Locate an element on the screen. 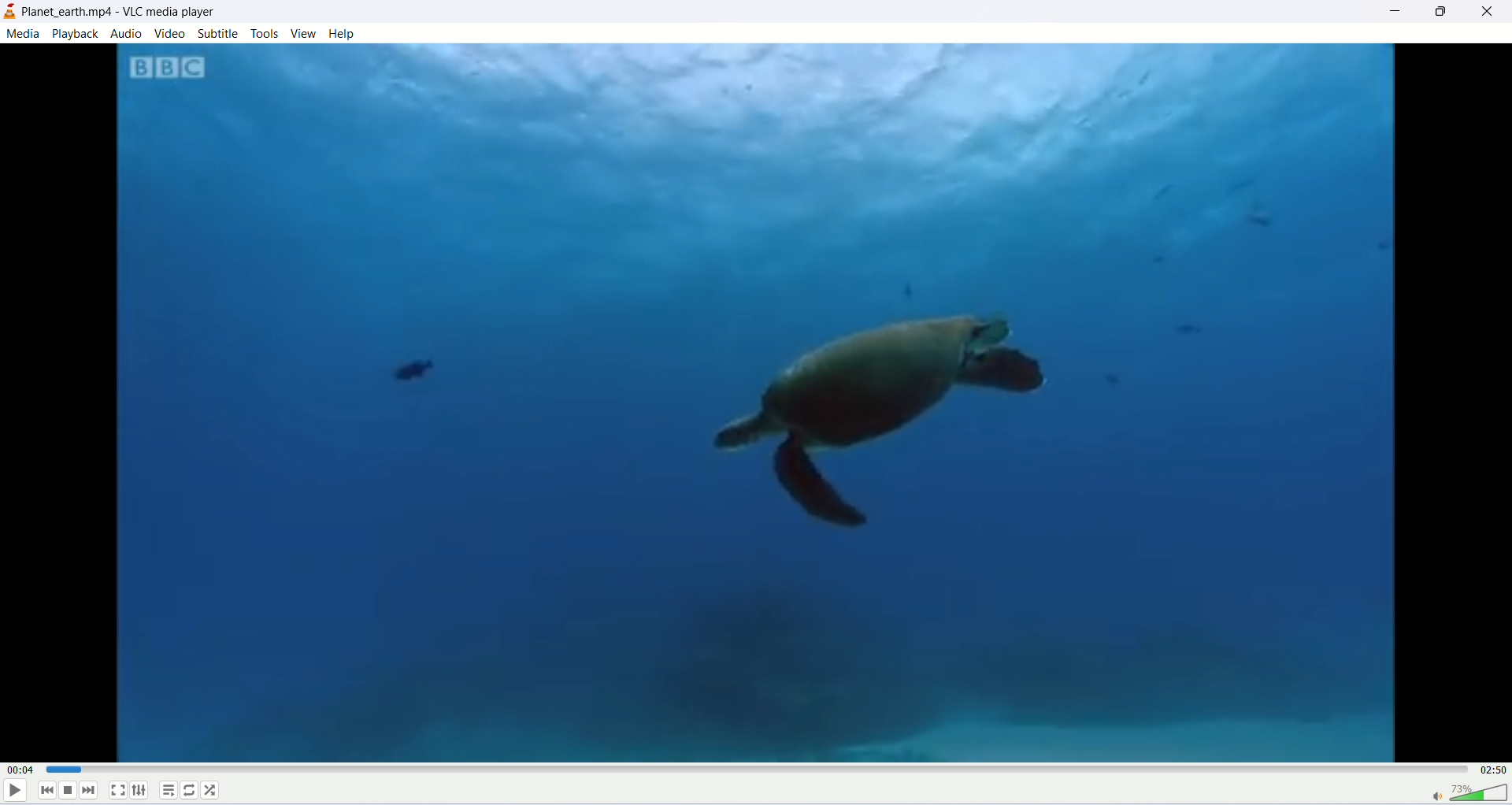  play/pause is located at coordinates (15, 793).